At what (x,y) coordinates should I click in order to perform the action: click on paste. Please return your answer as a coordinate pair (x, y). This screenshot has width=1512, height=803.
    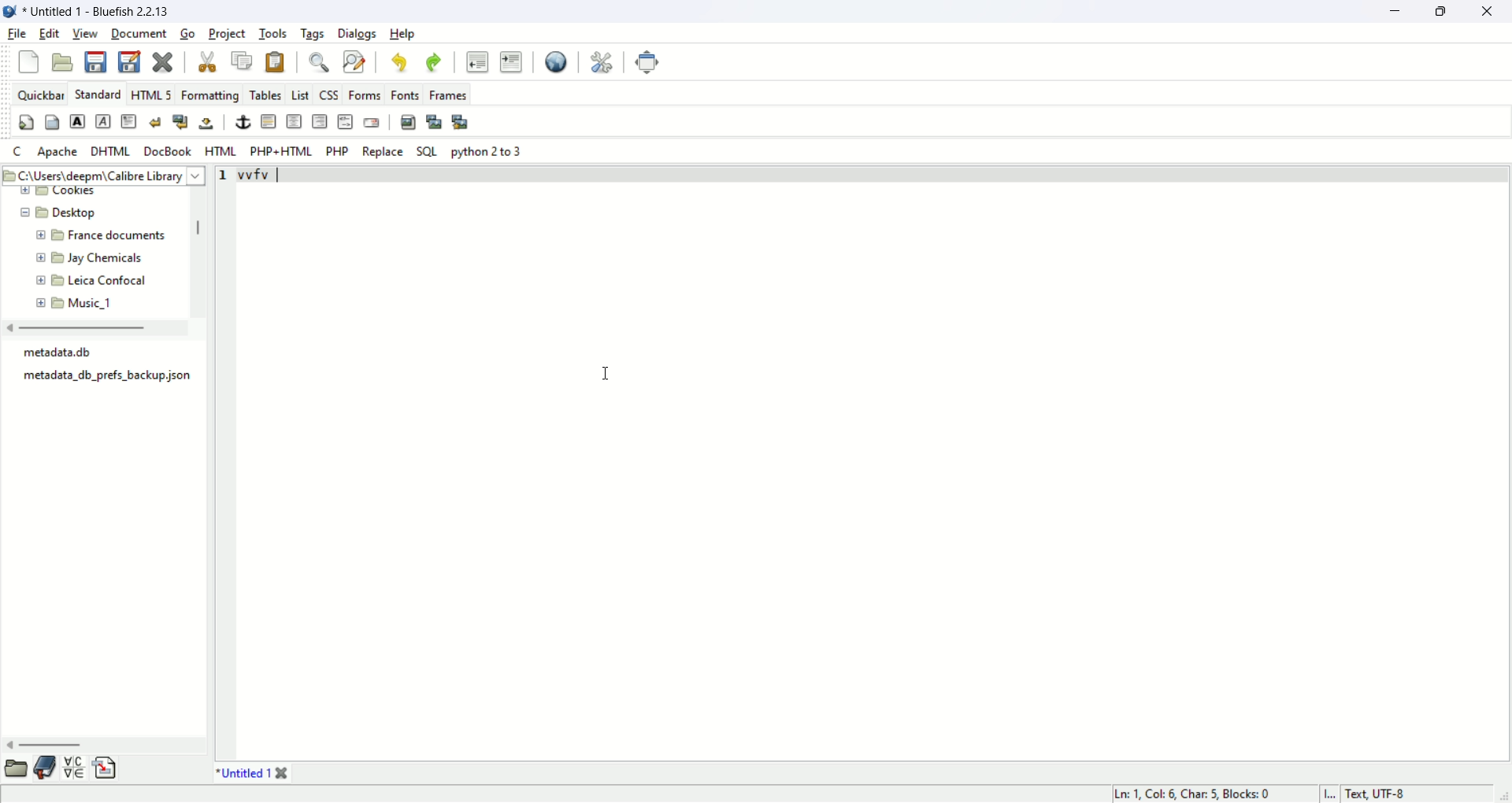
    Looking at the image, I should click on (277, 63).